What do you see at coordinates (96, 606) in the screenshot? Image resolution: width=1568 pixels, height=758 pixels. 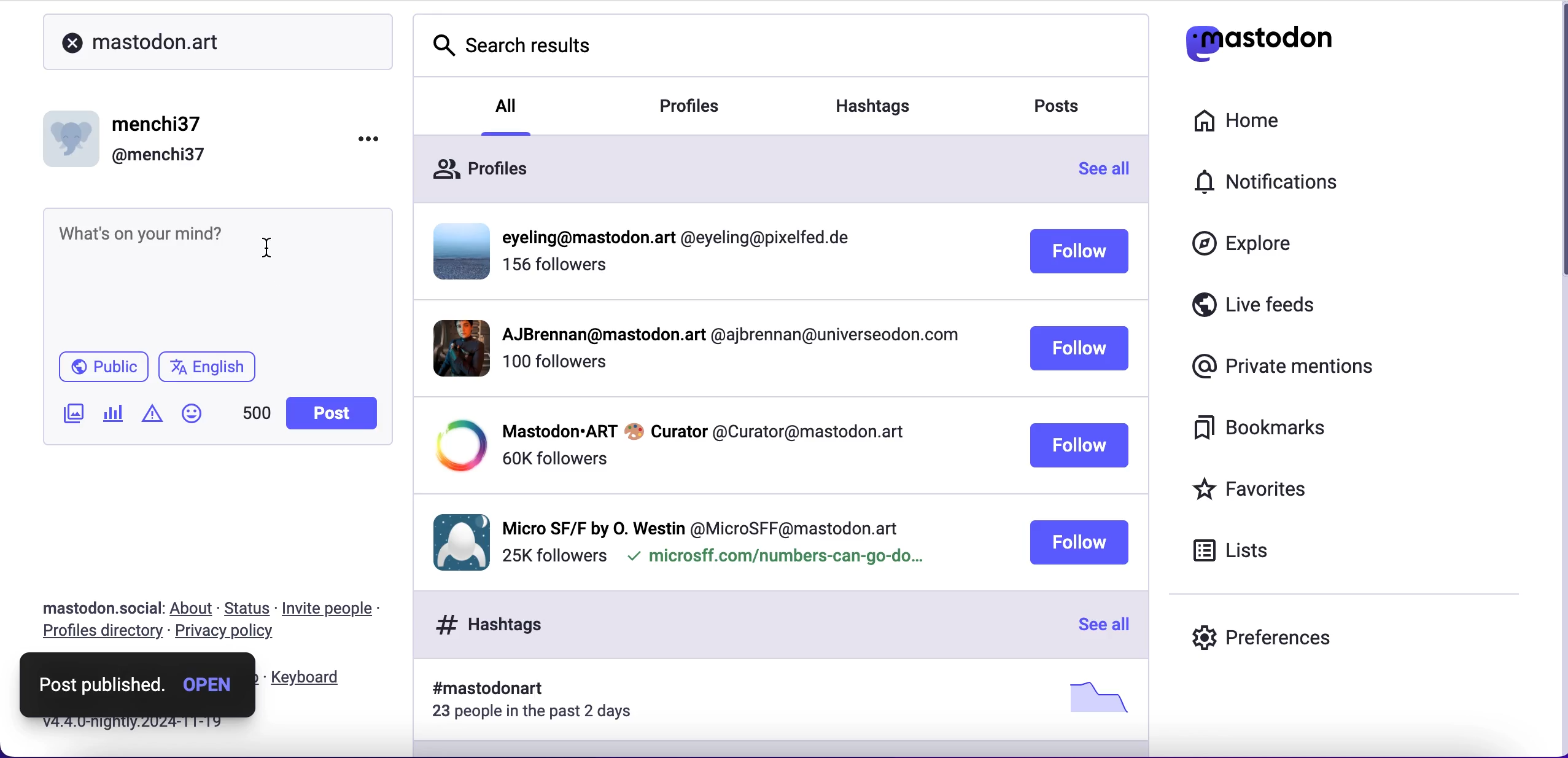 I see `mastodon.social` at bounding box center [96, 606].